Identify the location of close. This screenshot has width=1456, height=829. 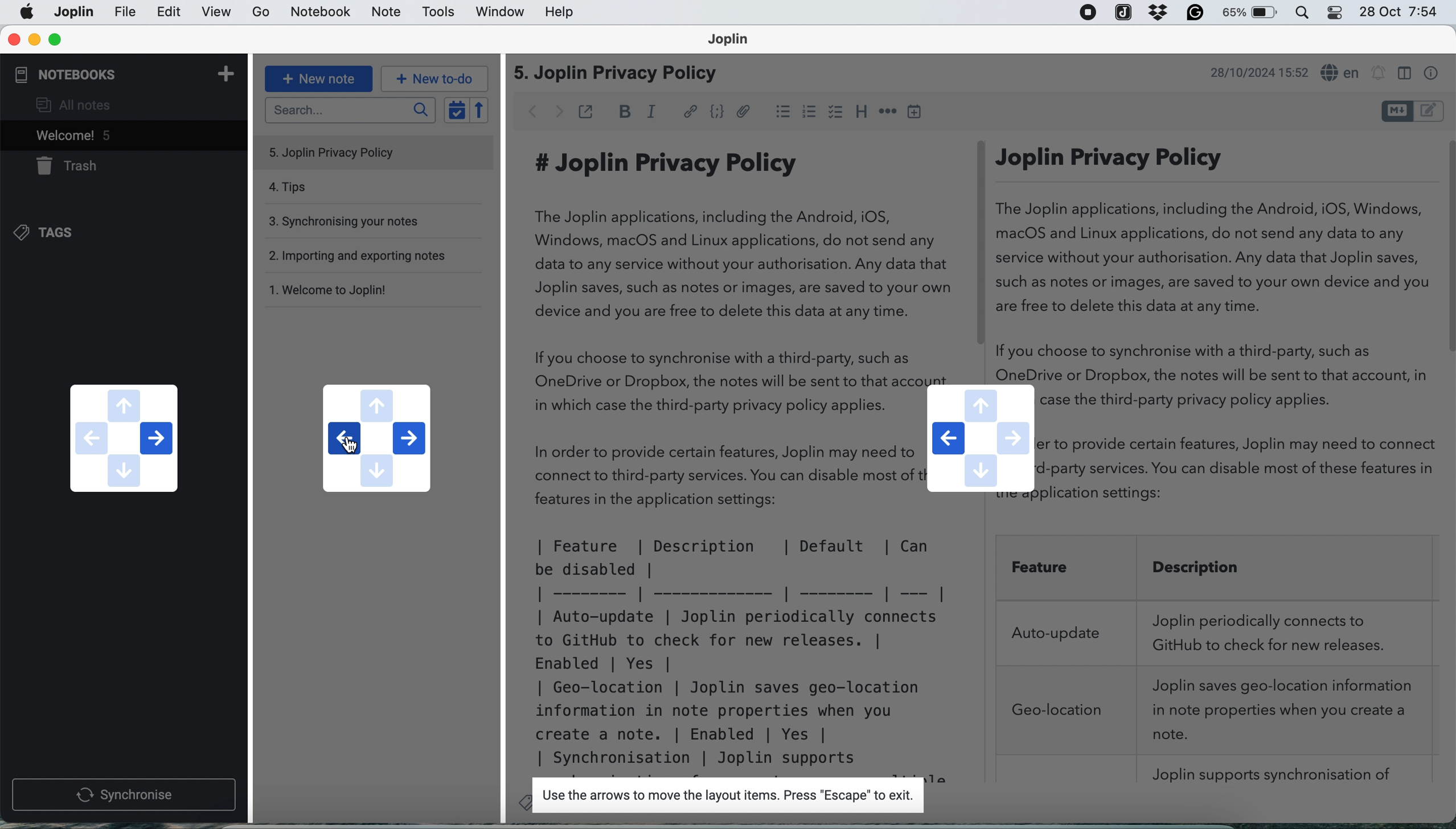
(13, 40).